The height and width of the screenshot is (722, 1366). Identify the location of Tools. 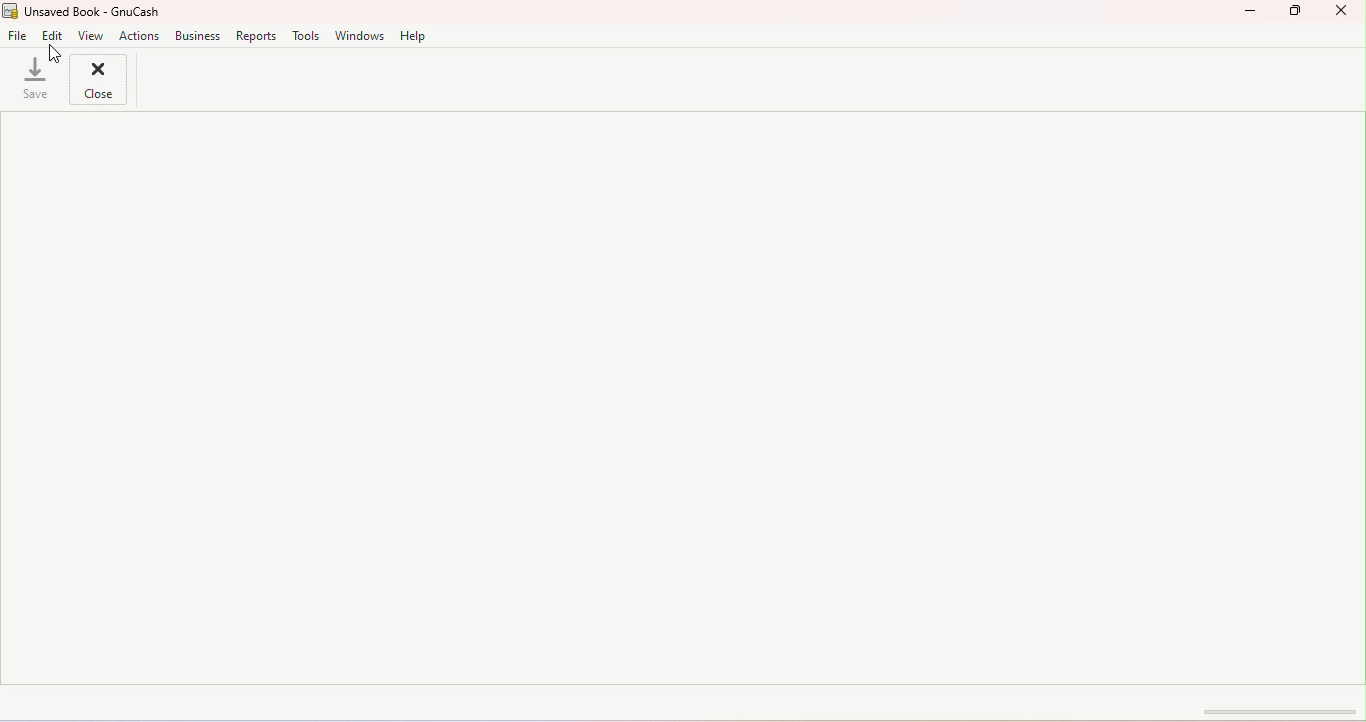
(306, 38).